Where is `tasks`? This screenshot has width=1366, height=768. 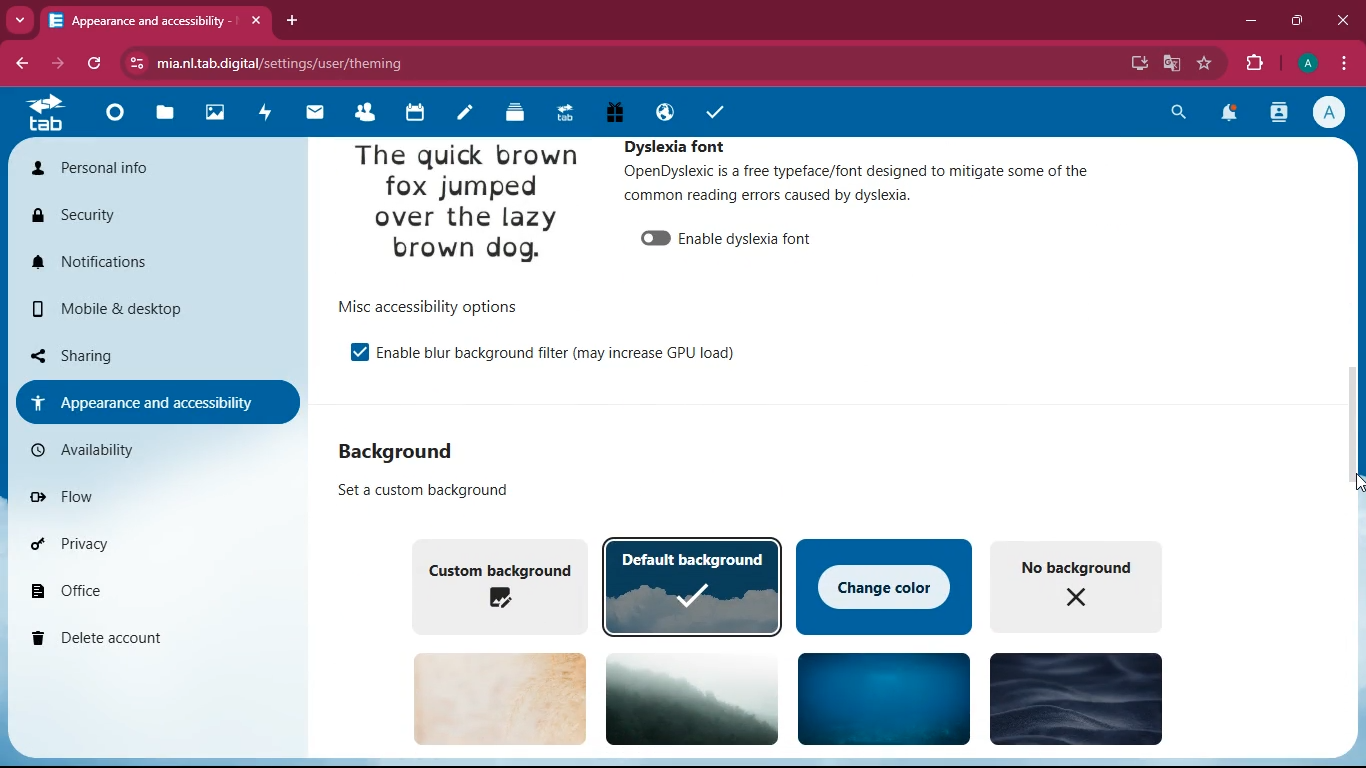 tasks is located at coordinates (714, 113).